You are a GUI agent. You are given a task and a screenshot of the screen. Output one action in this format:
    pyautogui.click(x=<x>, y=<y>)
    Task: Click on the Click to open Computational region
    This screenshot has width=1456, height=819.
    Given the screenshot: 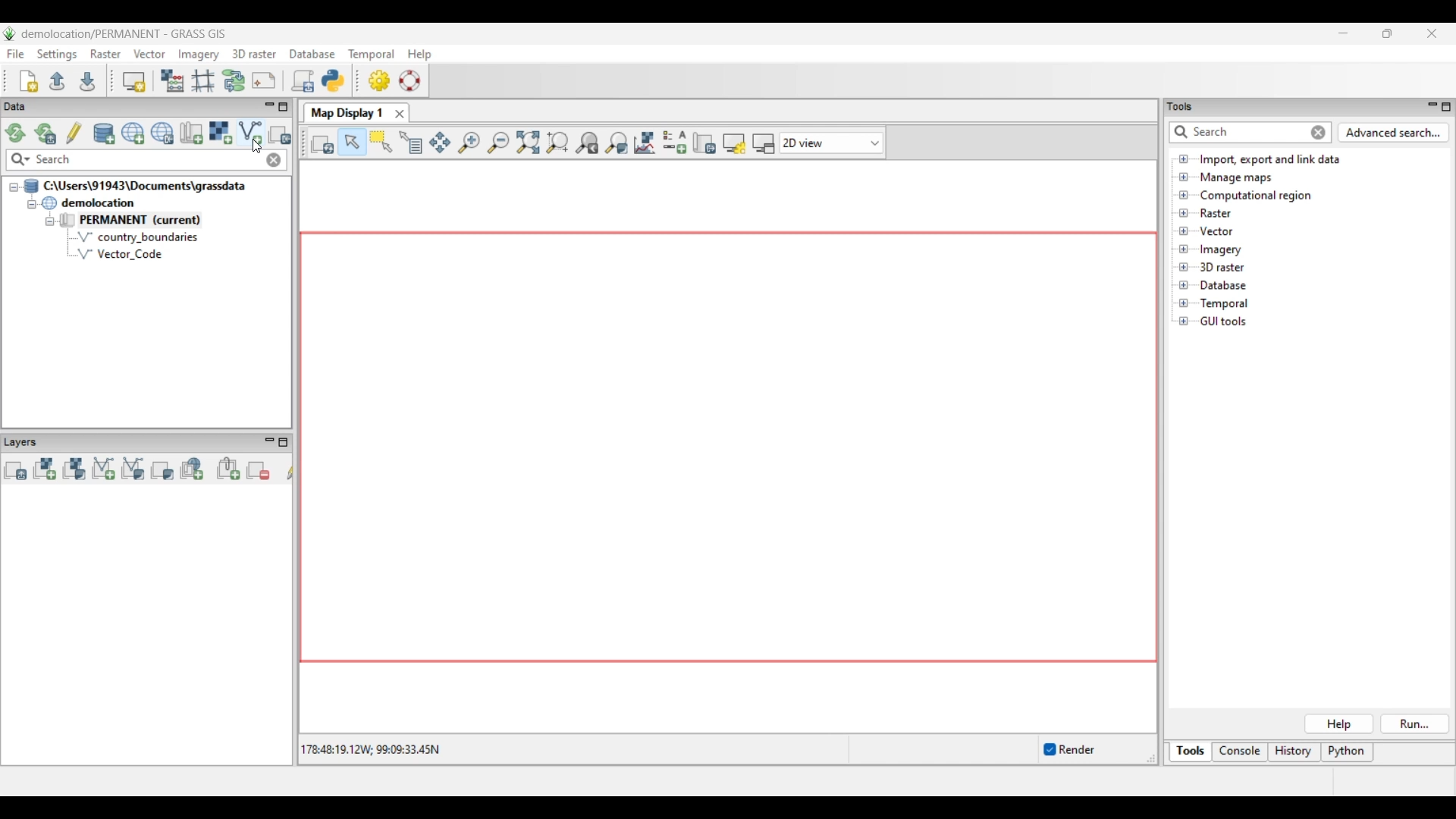 What is the action you would take?
    pyautogui.click(x=1184, y=195)
    